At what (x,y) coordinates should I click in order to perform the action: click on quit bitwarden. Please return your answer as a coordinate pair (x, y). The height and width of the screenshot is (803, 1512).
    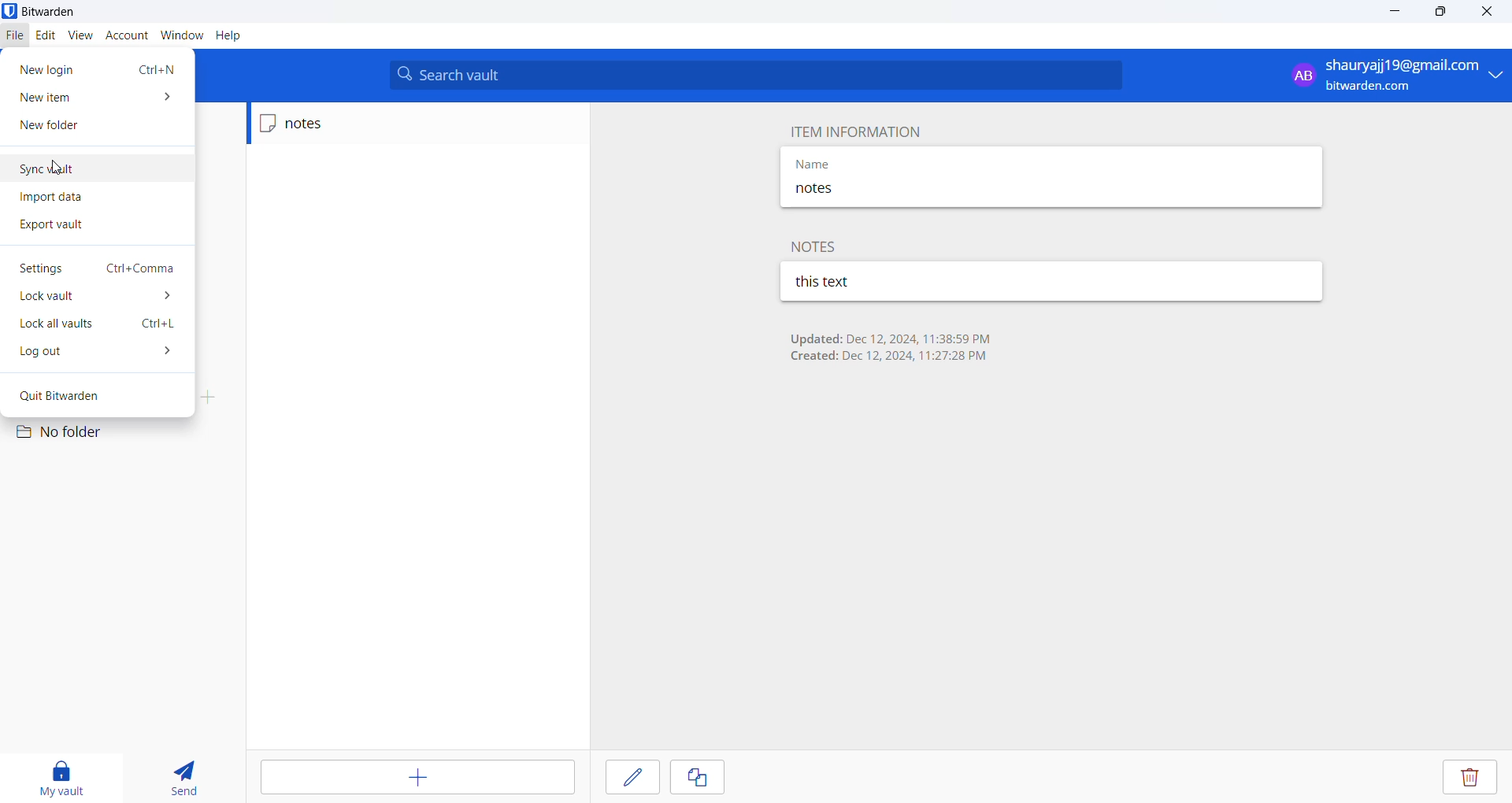
    Looking at the image, I should click on (102, 394).